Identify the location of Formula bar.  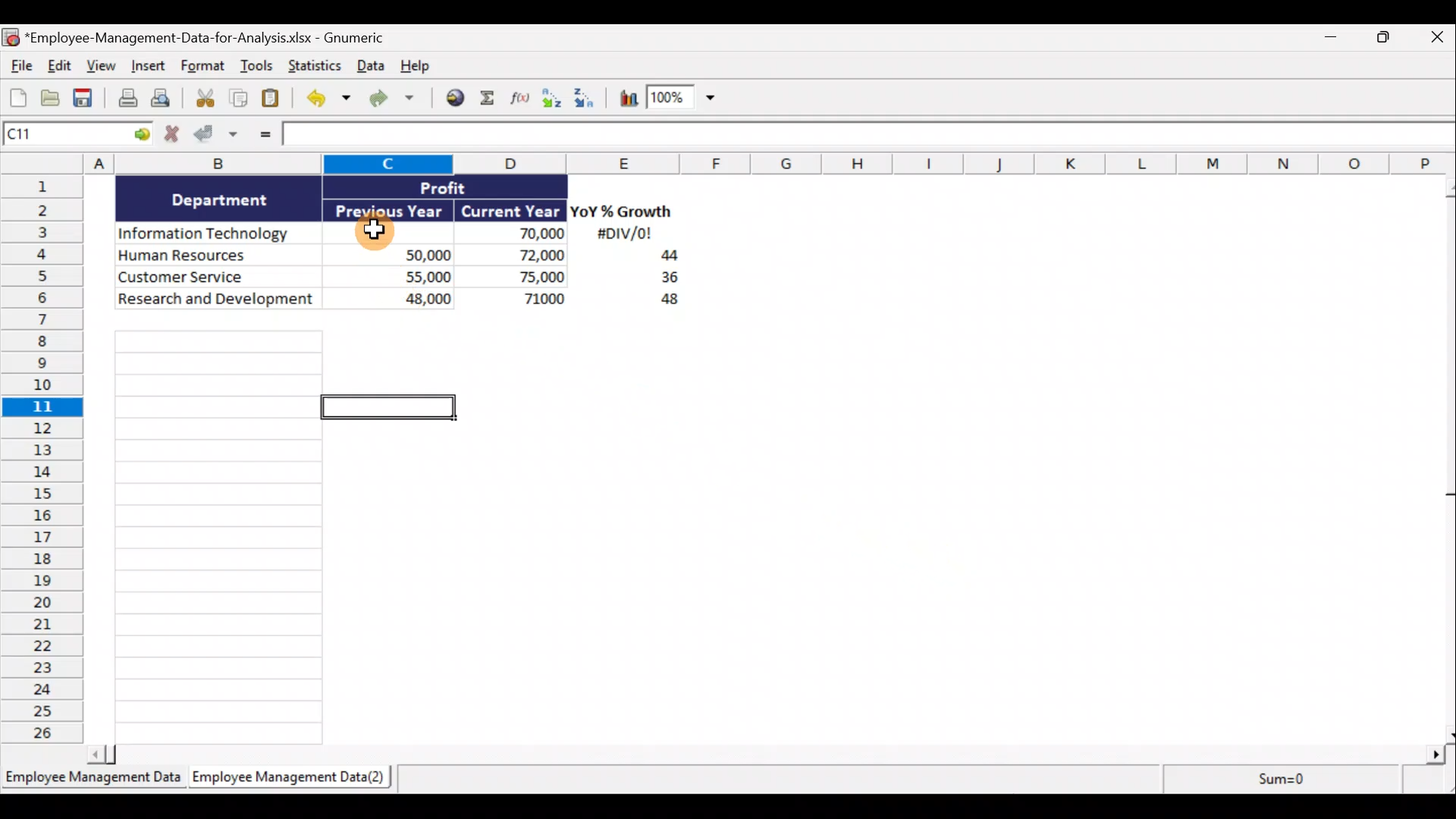
(868, 139).